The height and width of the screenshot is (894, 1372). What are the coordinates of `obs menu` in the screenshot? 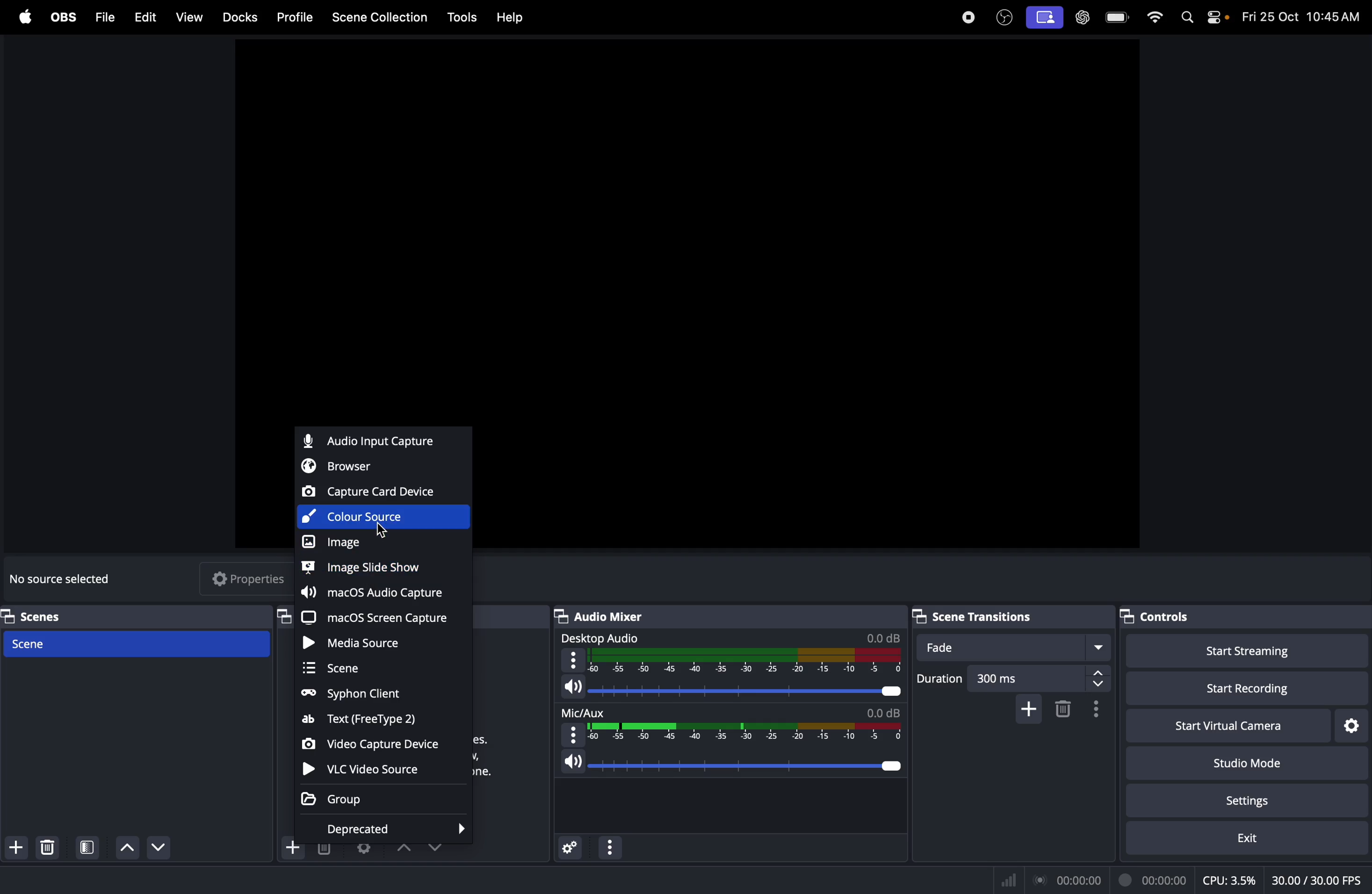 It's located at (62, 16).